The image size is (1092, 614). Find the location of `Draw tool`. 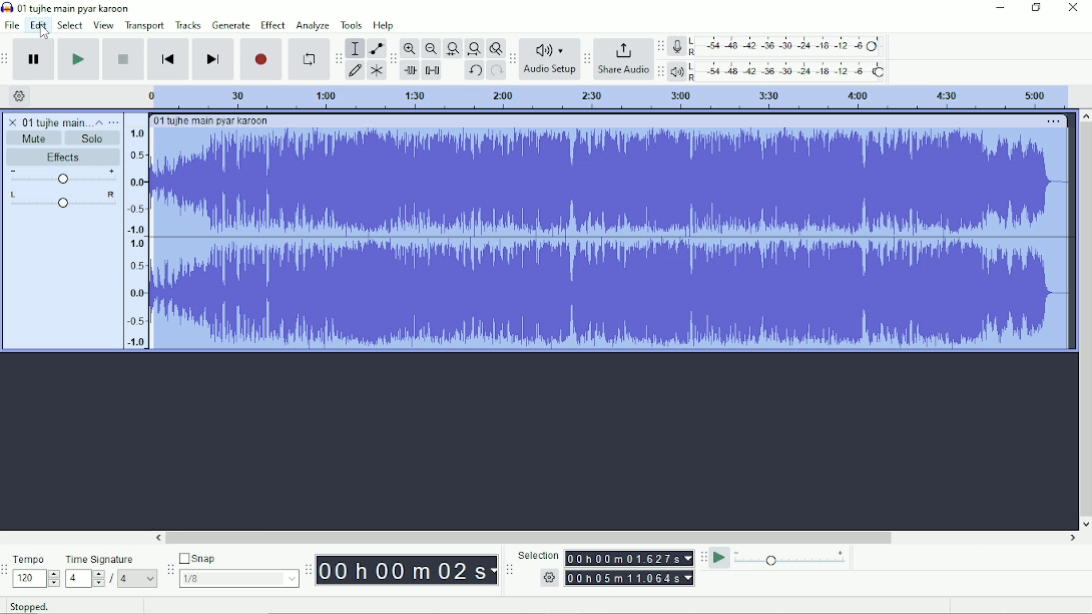

Draw tool is located at coordinates (355, 72).